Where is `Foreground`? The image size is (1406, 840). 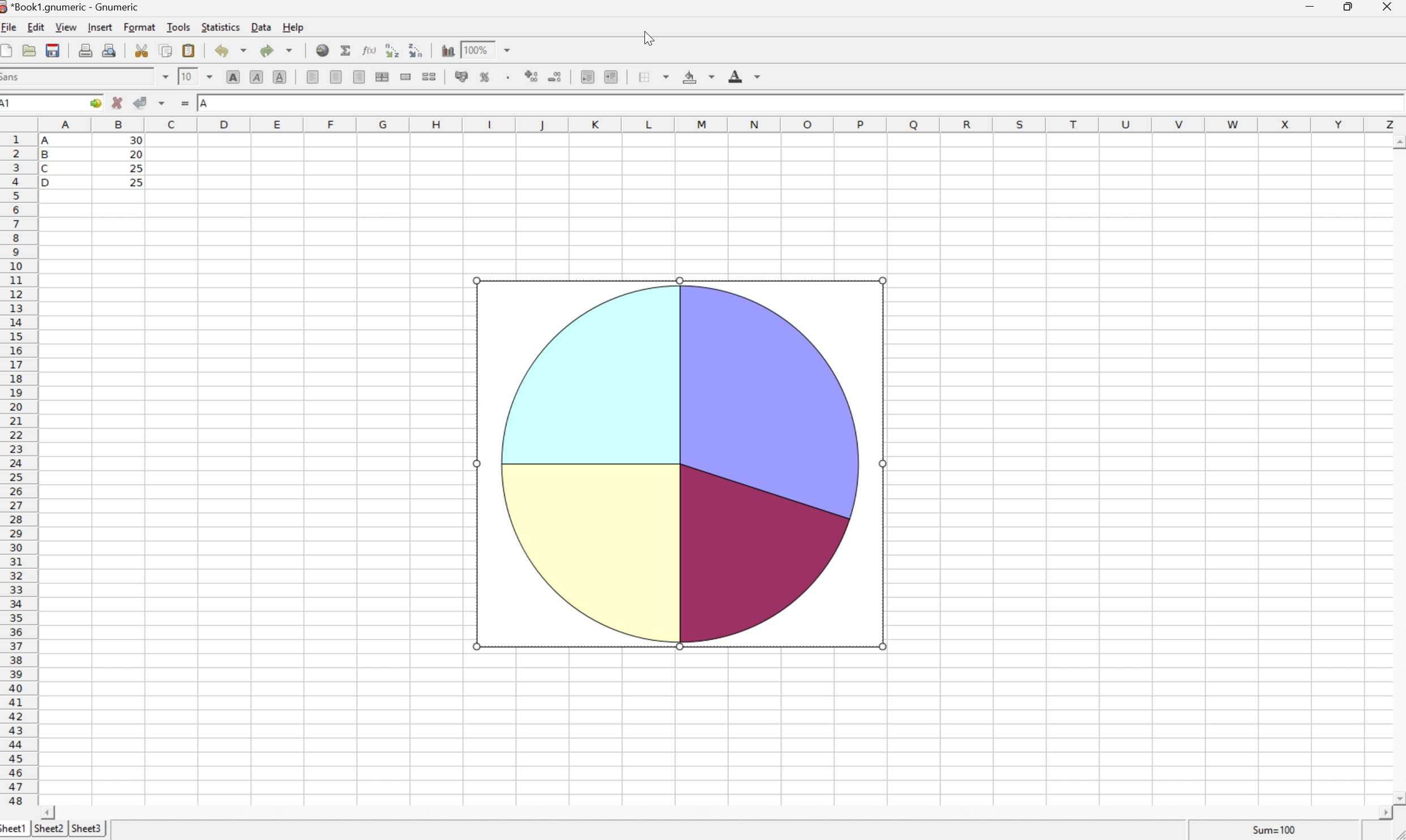
Foreground is located at coordinates (746, 76).